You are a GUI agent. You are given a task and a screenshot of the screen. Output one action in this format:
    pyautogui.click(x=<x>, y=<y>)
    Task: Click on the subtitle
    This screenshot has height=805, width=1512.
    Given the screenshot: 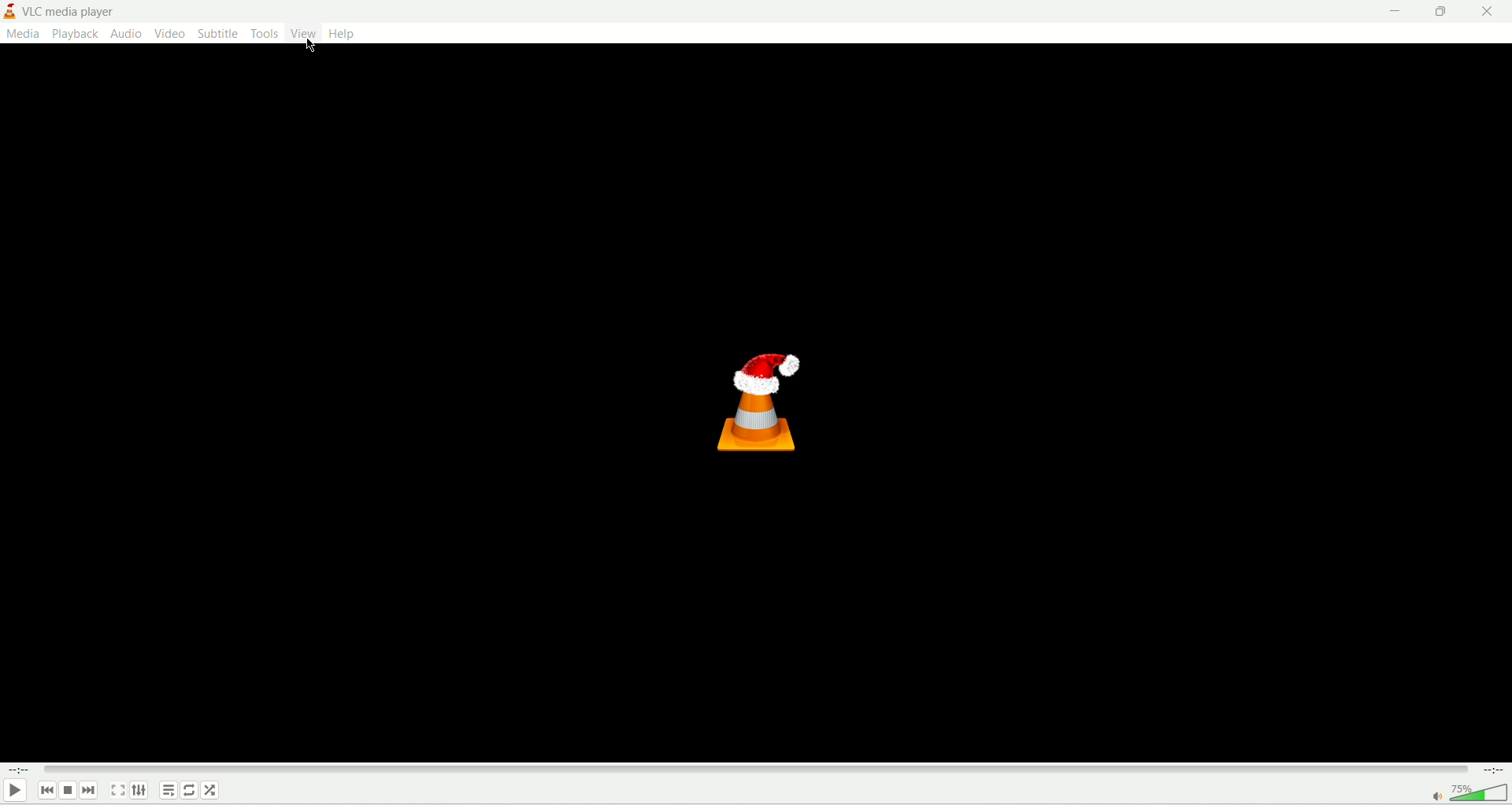 What is the action you would take?
    pyautogui.click(x=220, y=34)
    